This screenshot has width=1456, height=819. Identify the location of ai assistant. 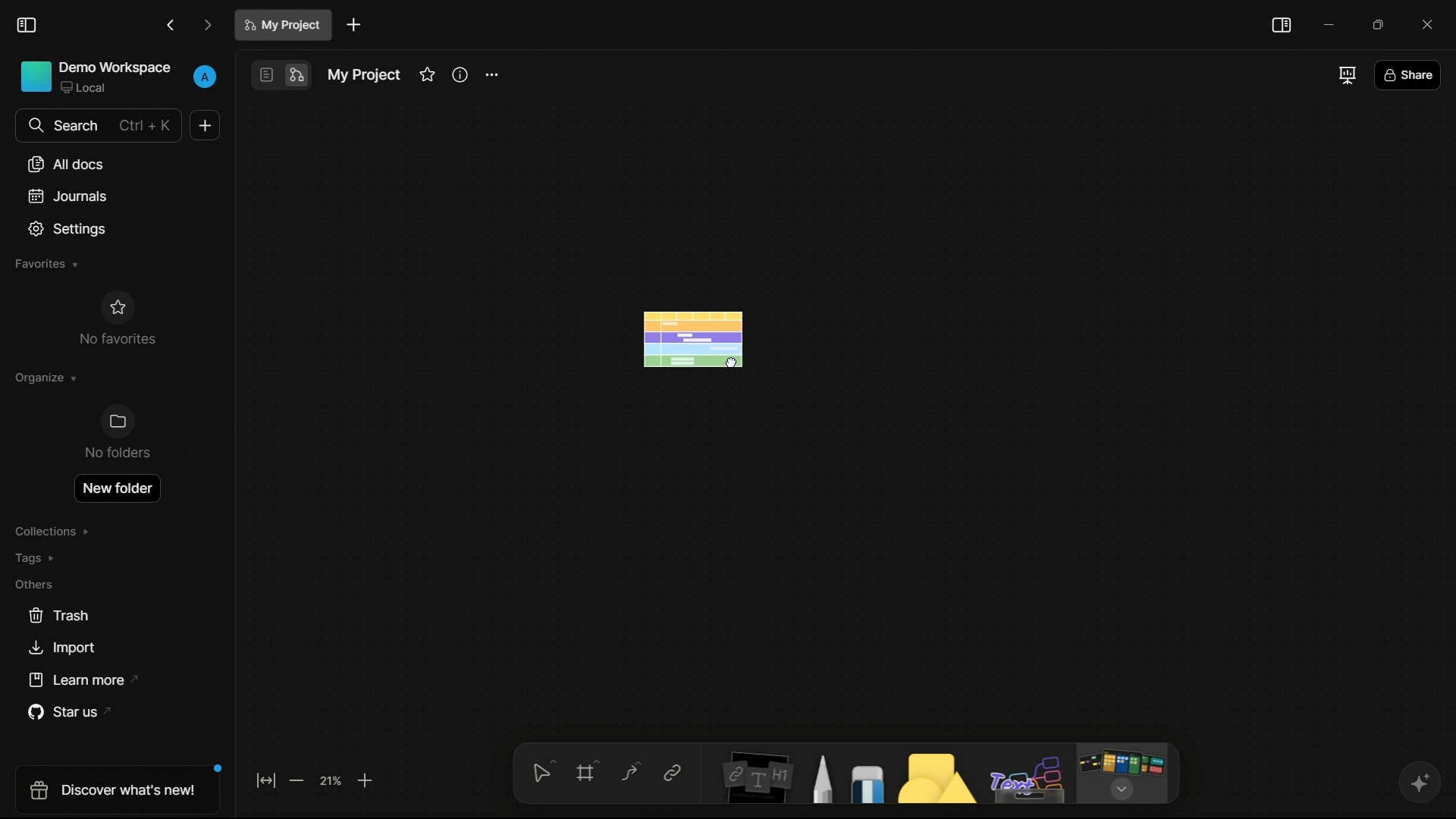
(1417, 781).